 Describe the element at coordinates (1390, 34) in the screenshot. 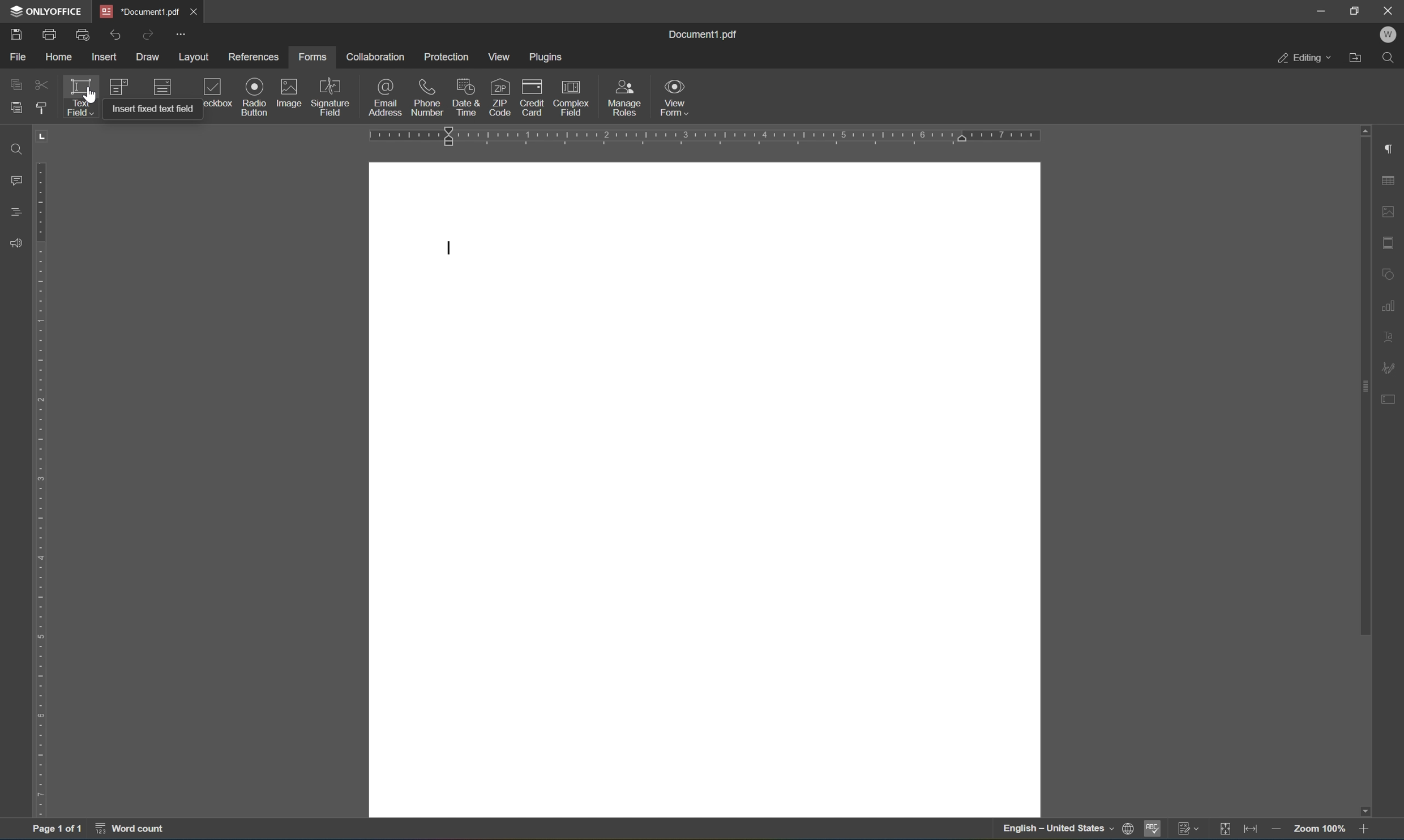

I see `W` at that location.